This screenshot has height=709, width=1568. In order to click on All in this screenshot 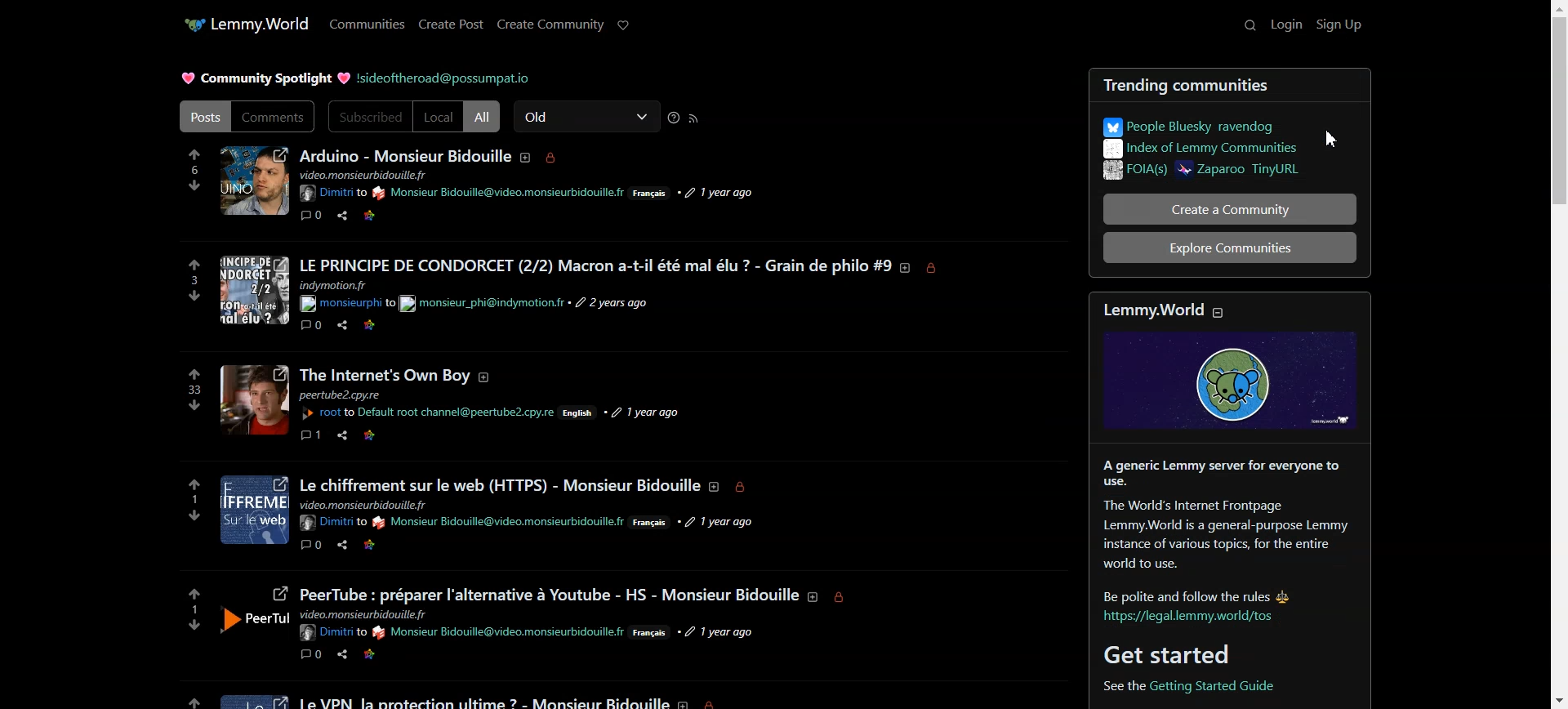, I will do `click(482, 116)`.